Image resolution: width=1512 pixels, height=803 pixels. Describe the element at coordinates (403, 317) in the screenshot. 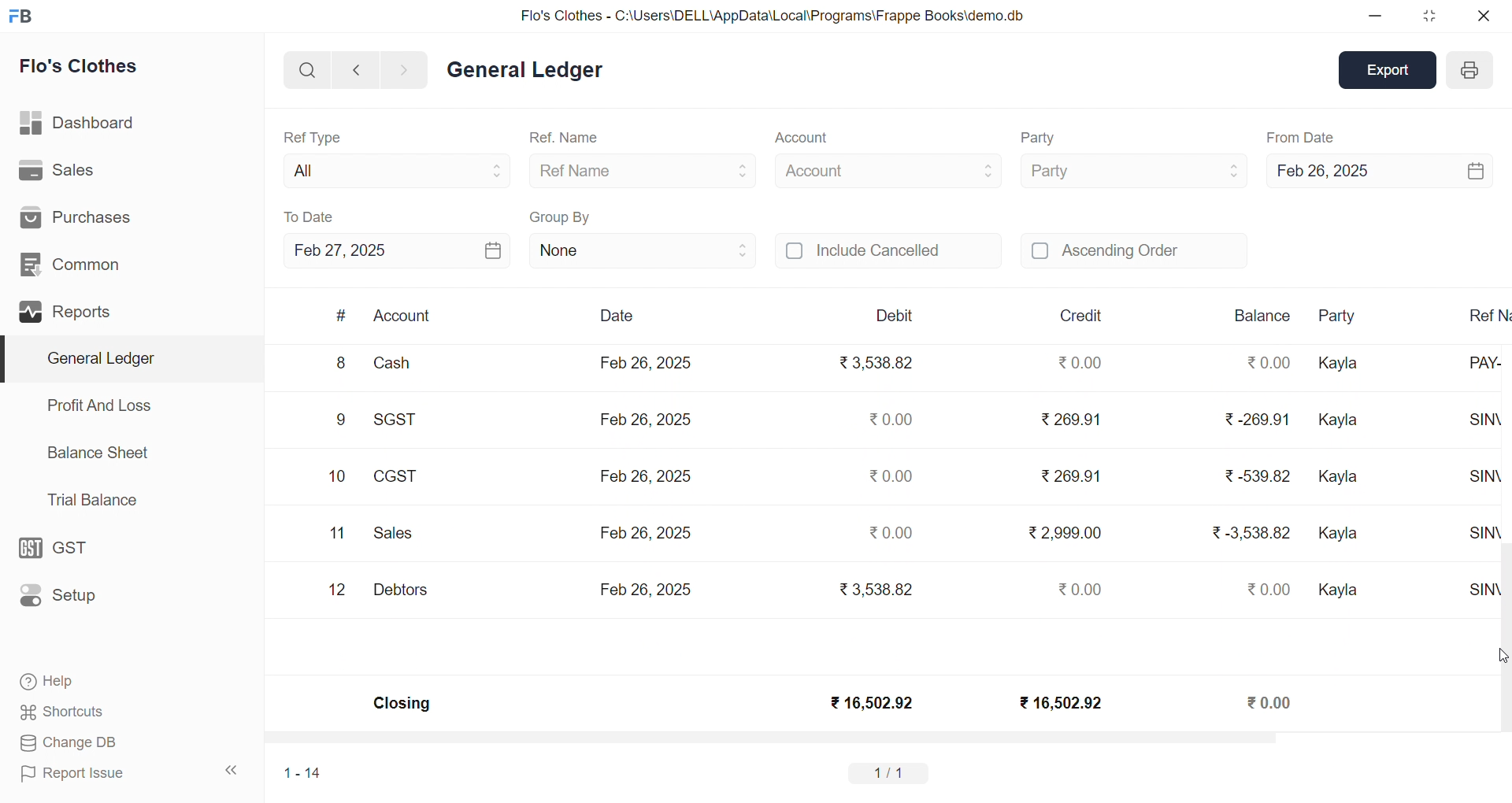

I see `Account` at that location.